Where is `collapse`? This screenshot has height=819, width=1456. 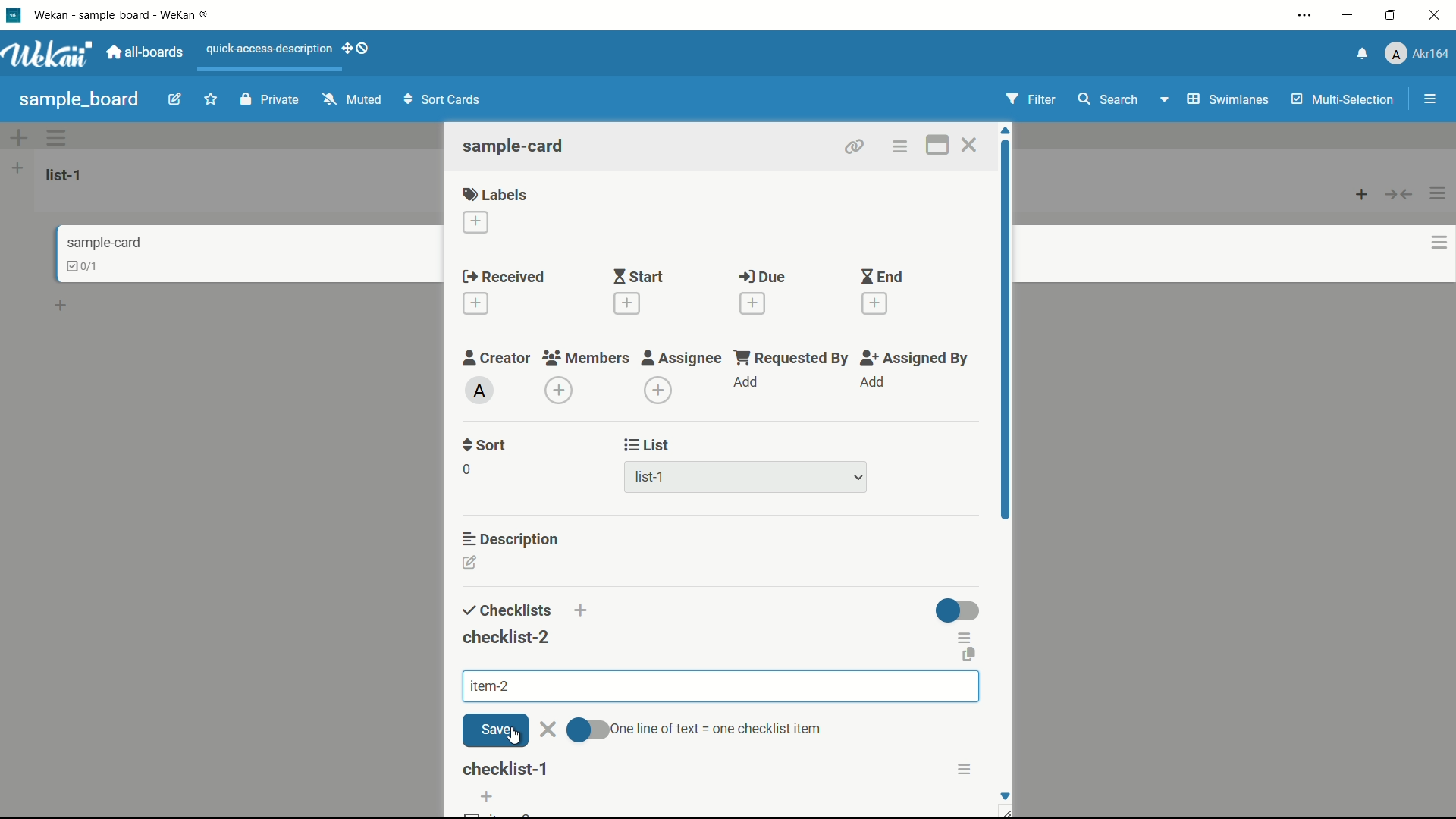
collapse is located at coordinates (1400, 194).